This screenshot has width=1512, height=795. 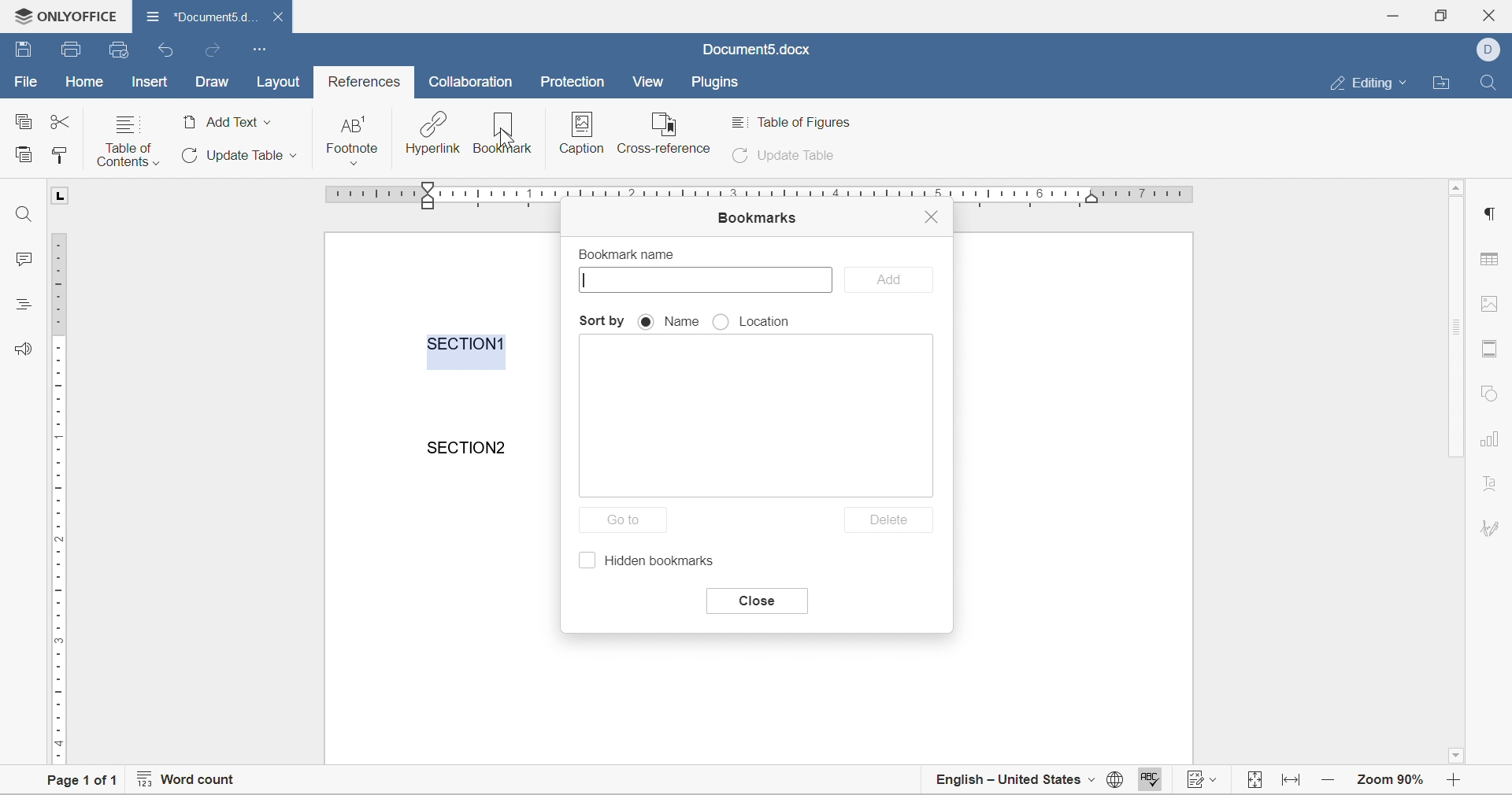 What do you see at coordinates (200, 15) in the screenshot?
I see `document name` at bounding box center [200, 15].